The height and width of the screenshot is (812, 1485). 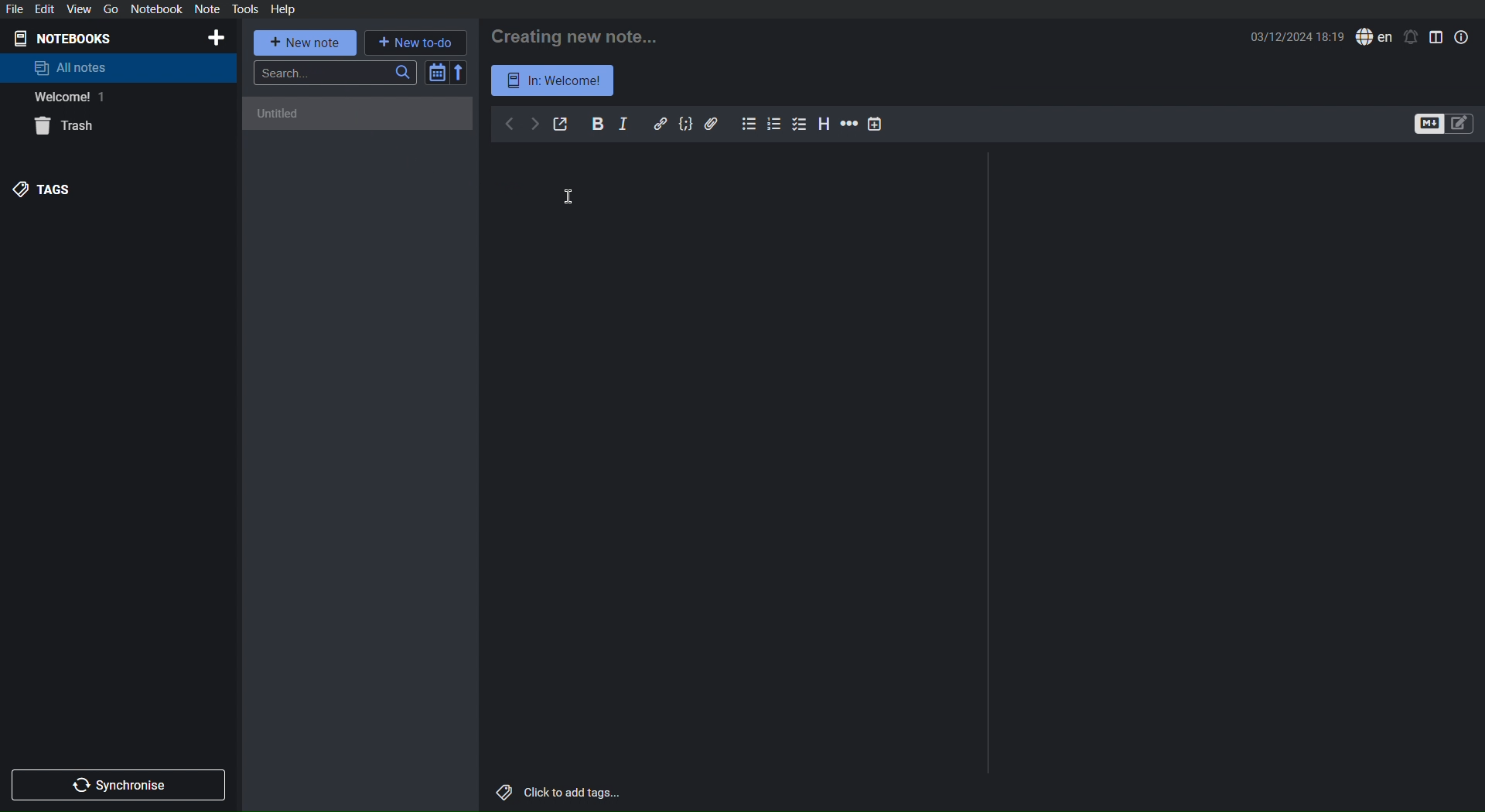 I want to click on Toggle editor layout, so click(x=1437, y=36).